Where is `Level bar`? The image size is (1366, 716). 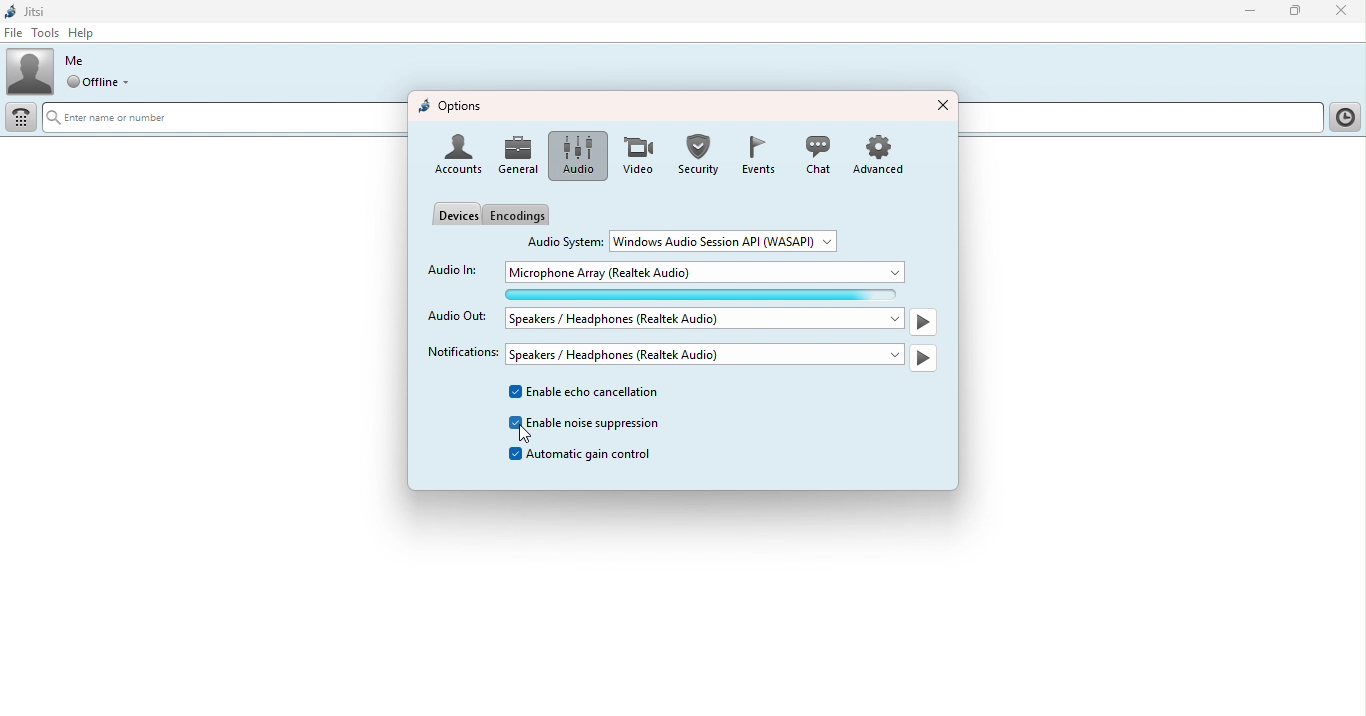
Level bar is located at coordinates (710, 294).